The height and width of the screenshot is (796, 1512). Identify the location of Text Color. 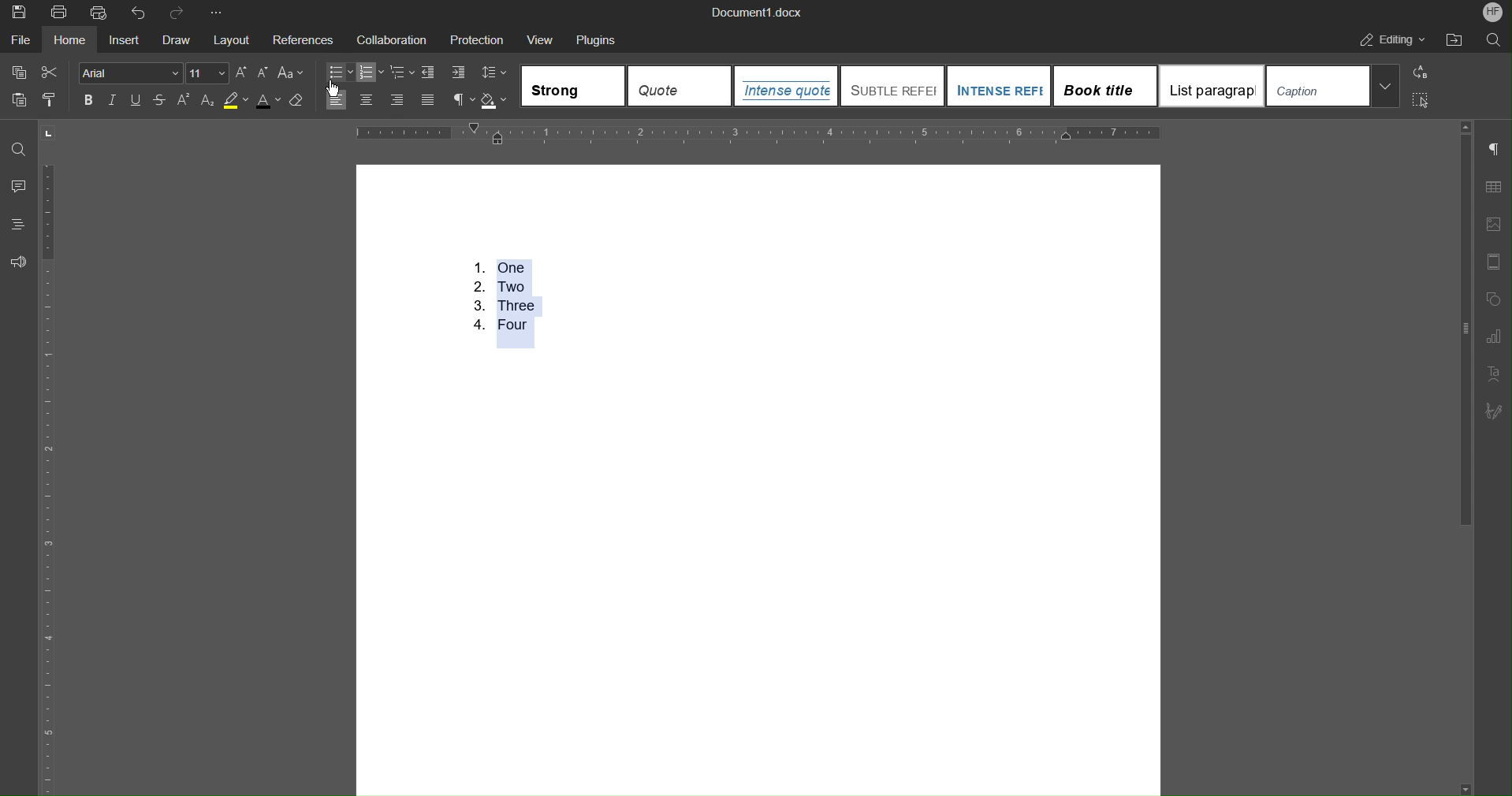
(269, 101).